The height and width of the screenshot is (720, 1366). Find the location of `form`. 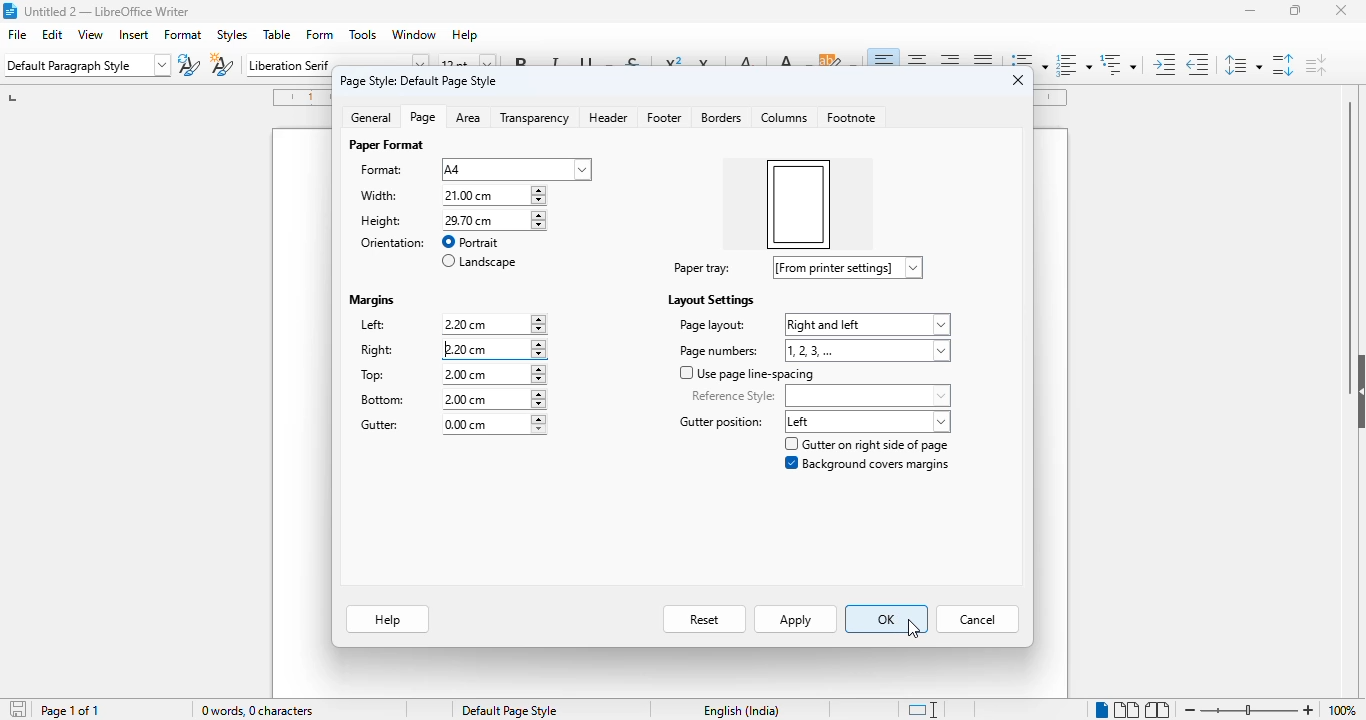

form is located at coordinates (321, 35).